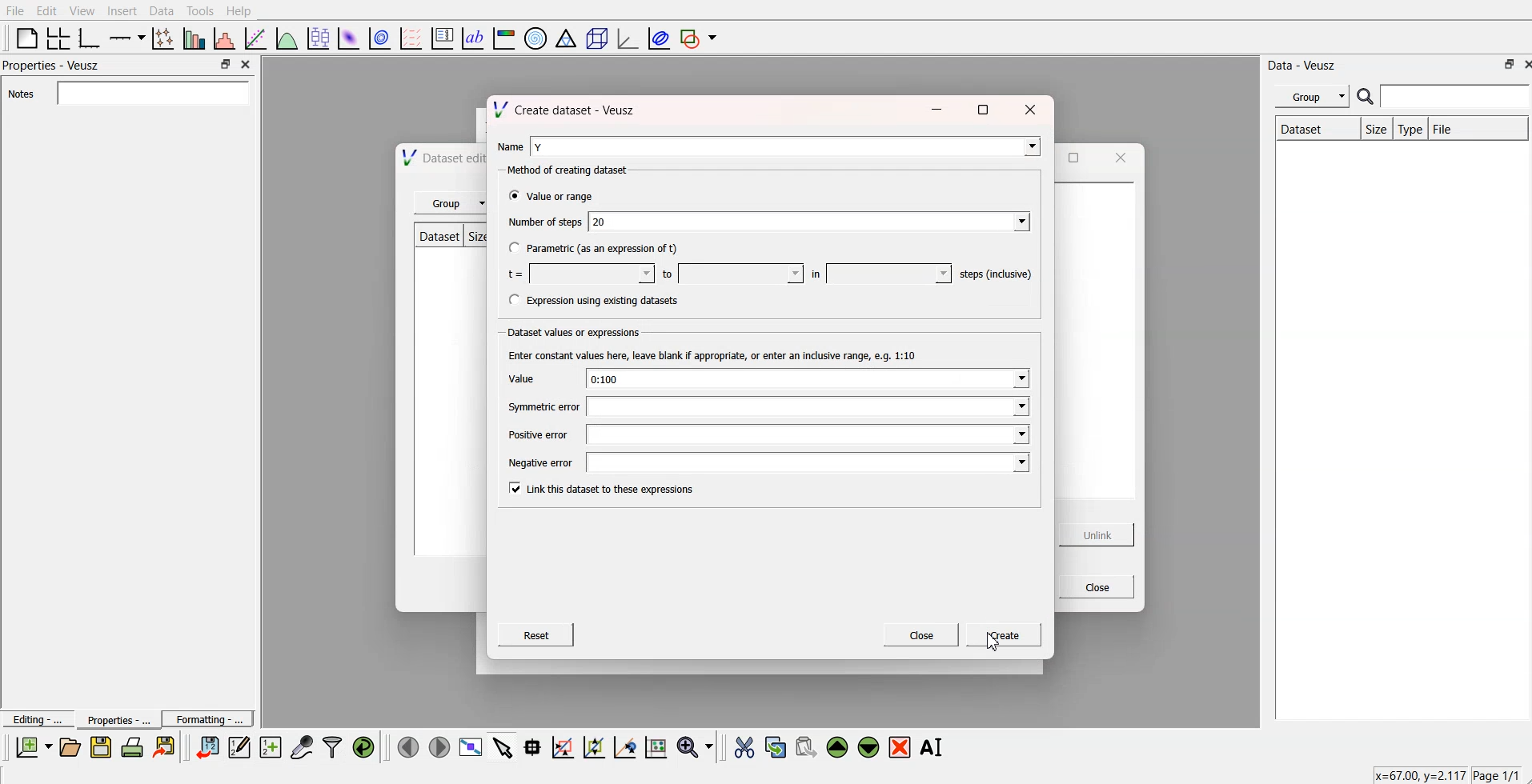  What do you see at coordinates (167, 748) in the screenshot?
I see `Export to graphics format` at bounding box center [167, 748].